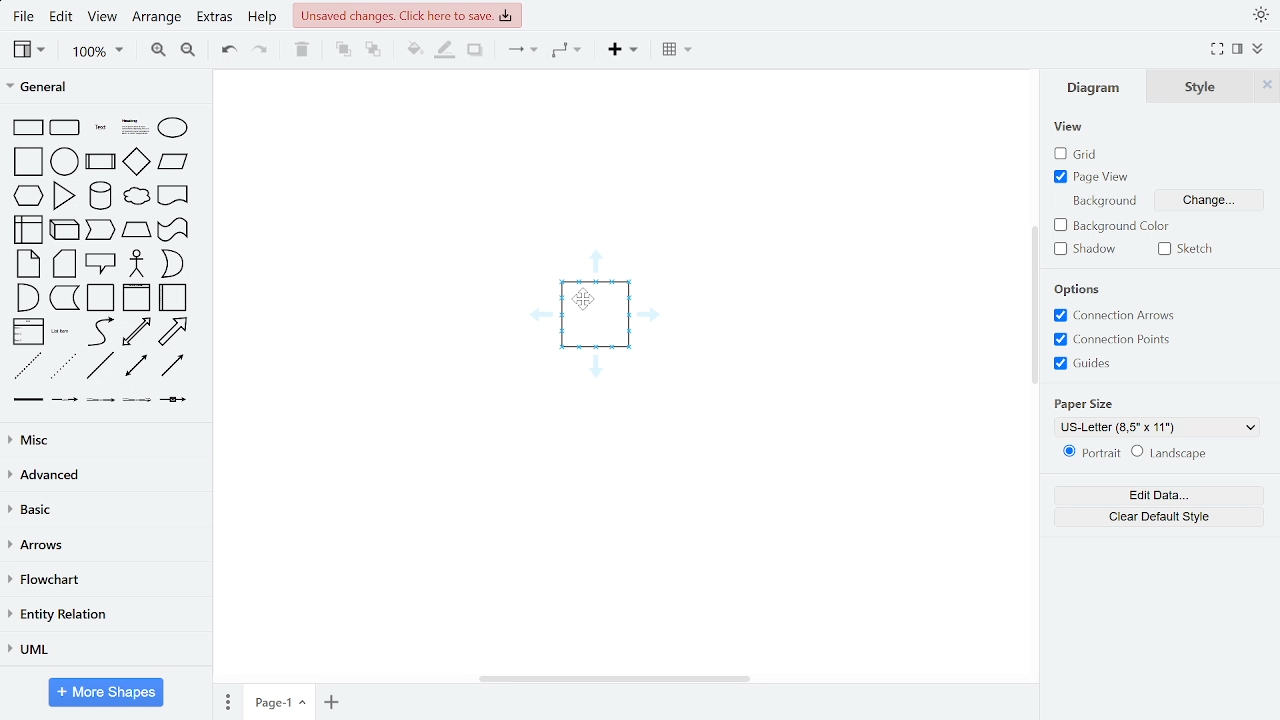 This screenshot has width=1280, height=720. What do you see at coordinates (103, 17) in the screenshot?
I see `view` at bounding box center [103, 17].